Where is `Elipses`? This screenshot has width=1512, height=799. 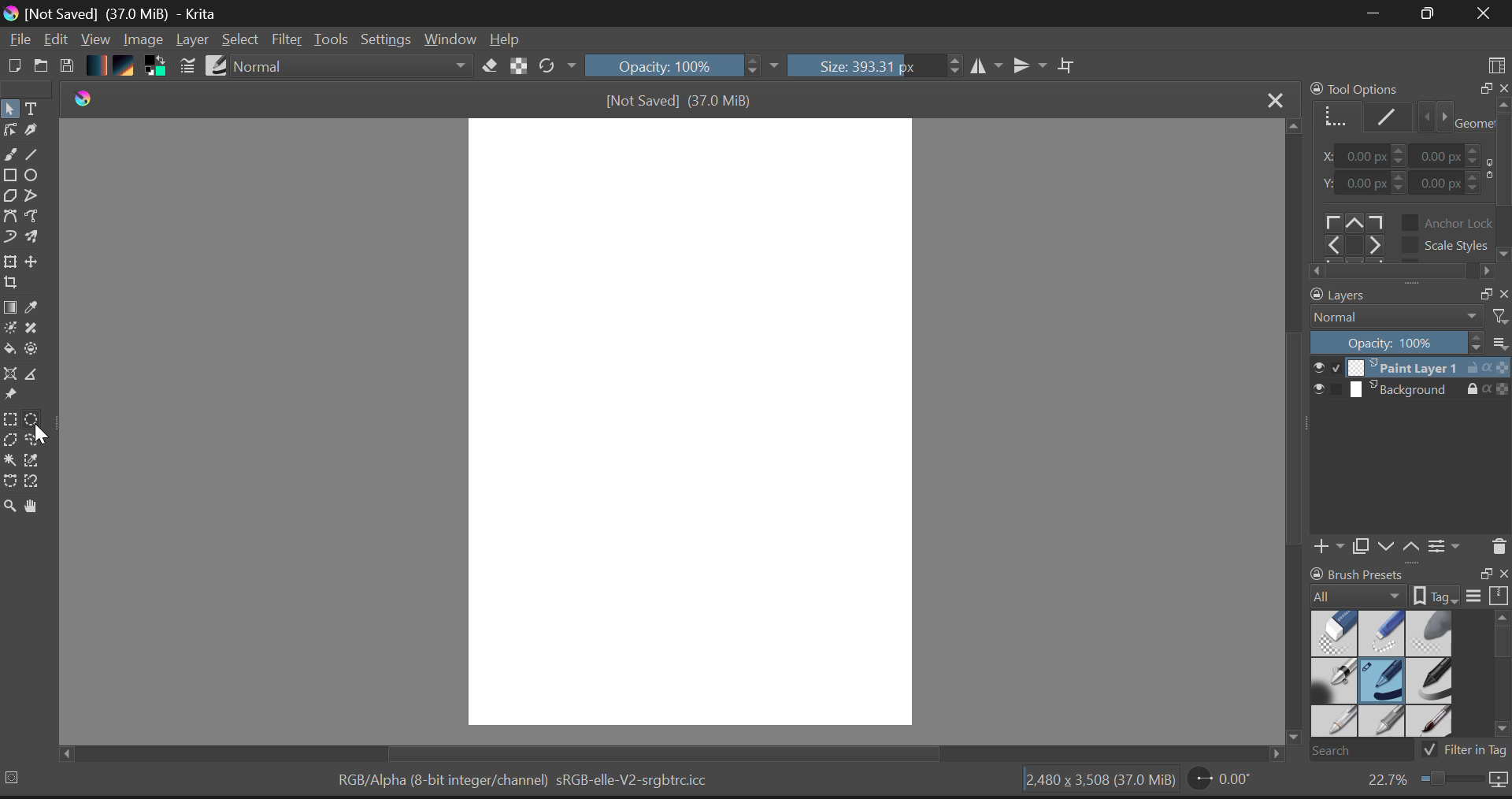
Elipses is located at coordinates (34, 177).